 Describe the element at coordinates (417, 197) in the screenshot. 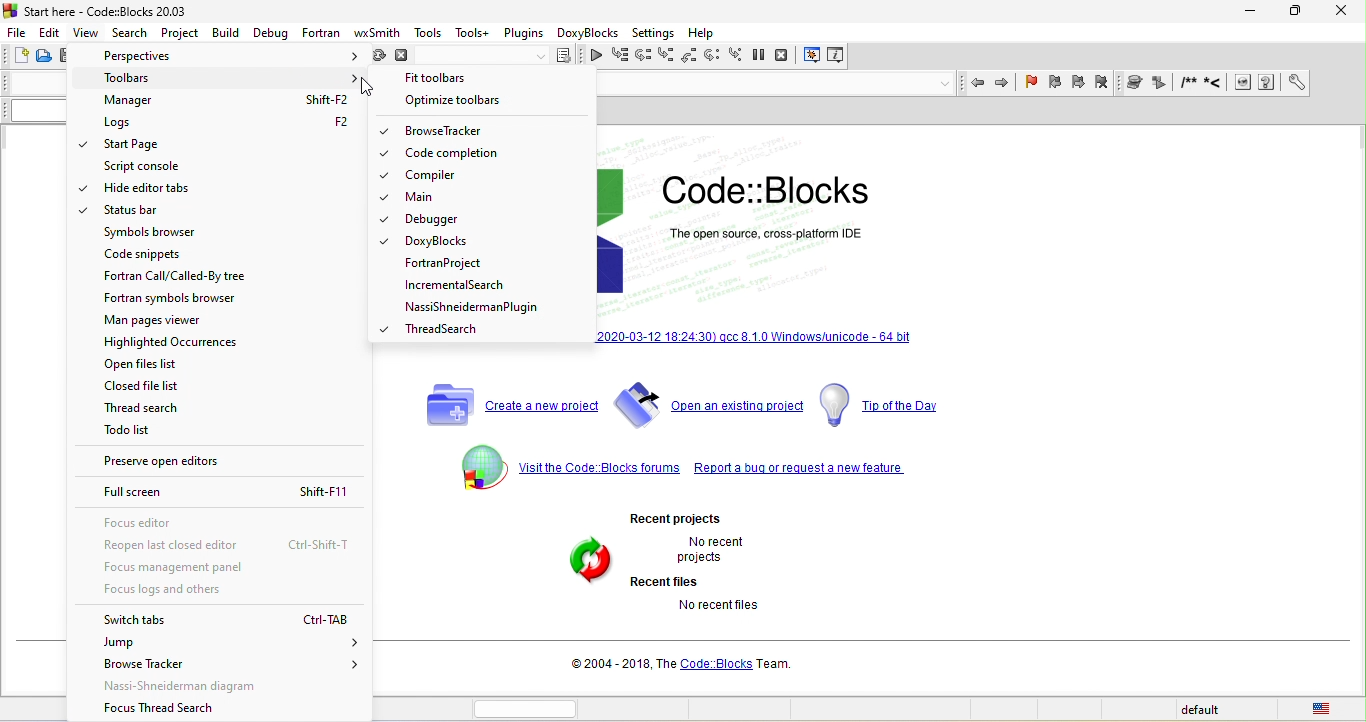

I see `main` at that location.